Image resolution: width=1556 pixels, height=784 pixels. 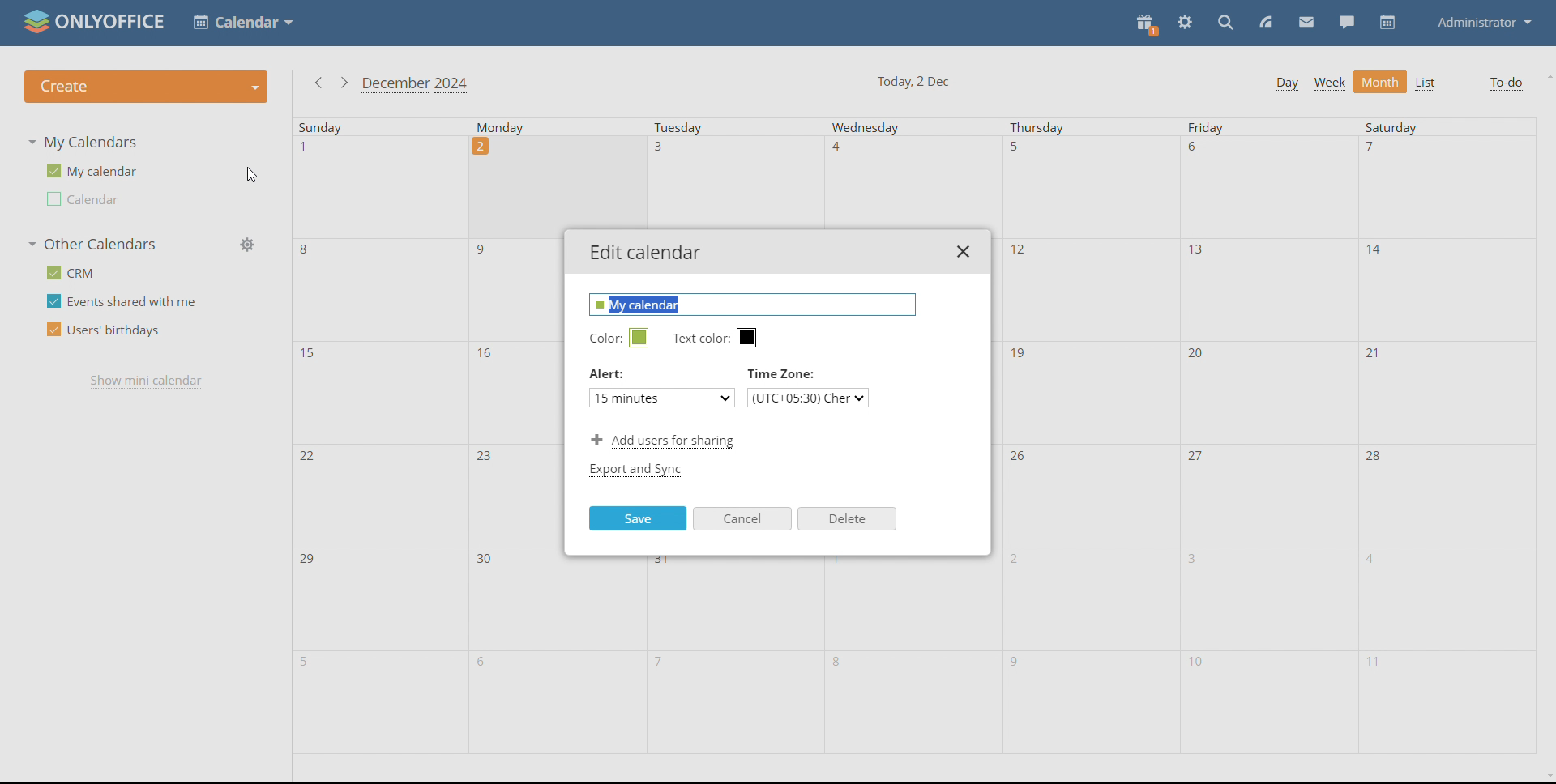 I want to click on feed, so click(x=1267, y=24).